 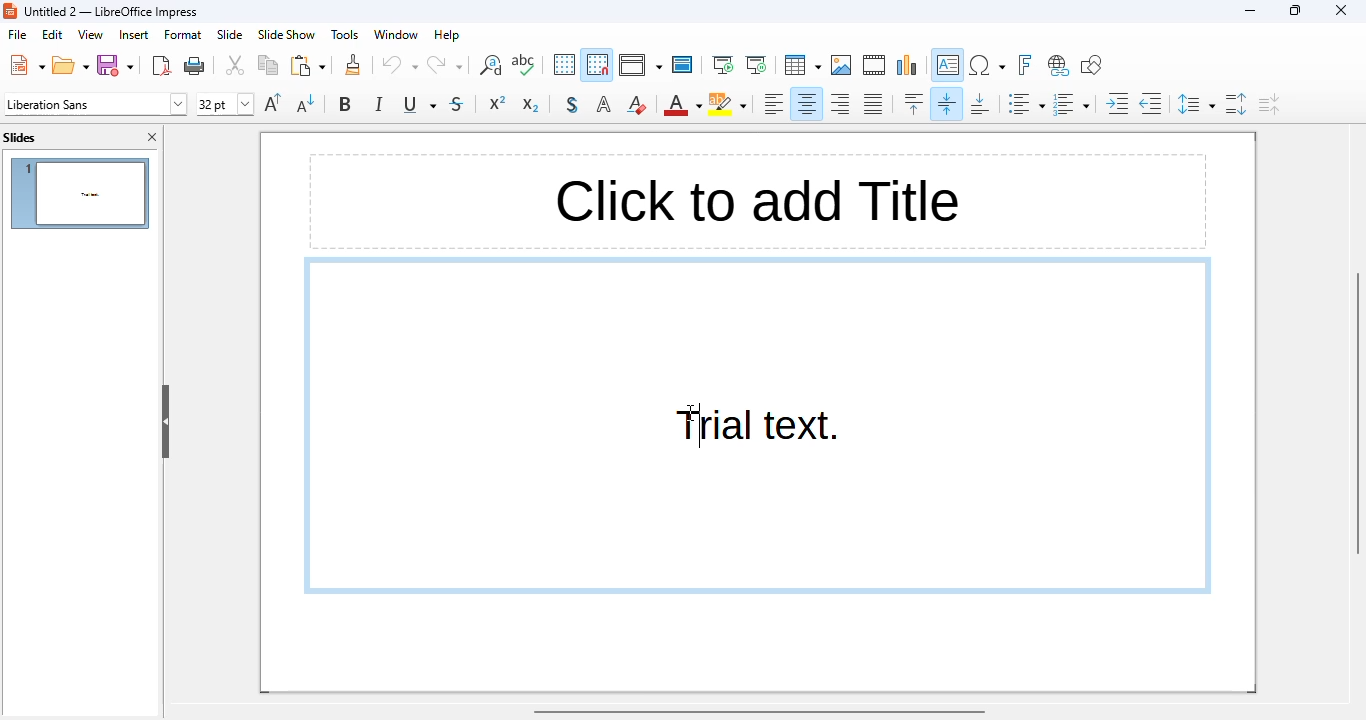 What do you see at coordinates (71, 64) in the screenshot?
I see `open` at bounding box center [71, 64].